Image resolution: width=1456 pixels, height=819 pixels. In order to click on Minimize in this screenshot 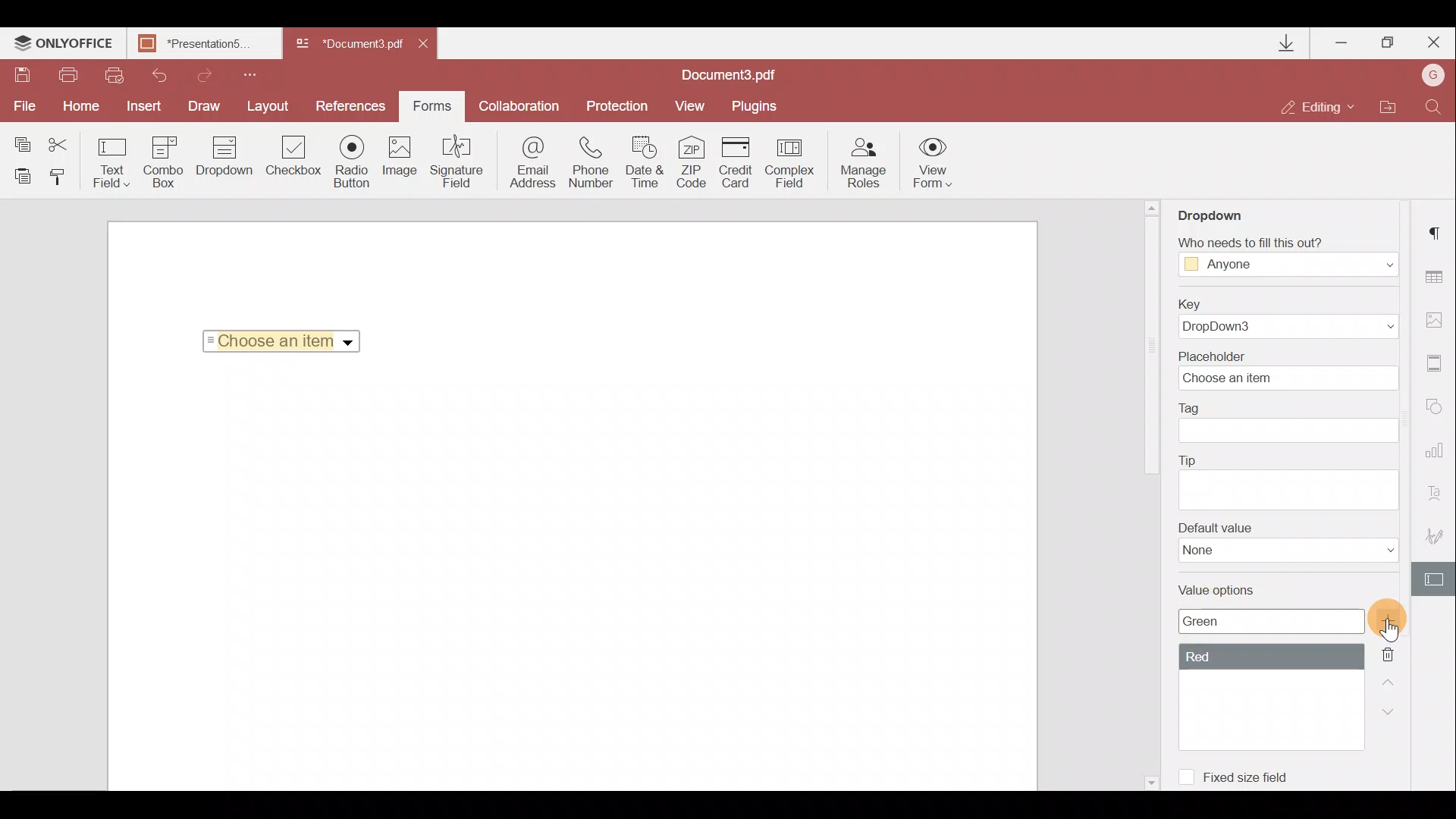, I will do `click(1339, 42)`.